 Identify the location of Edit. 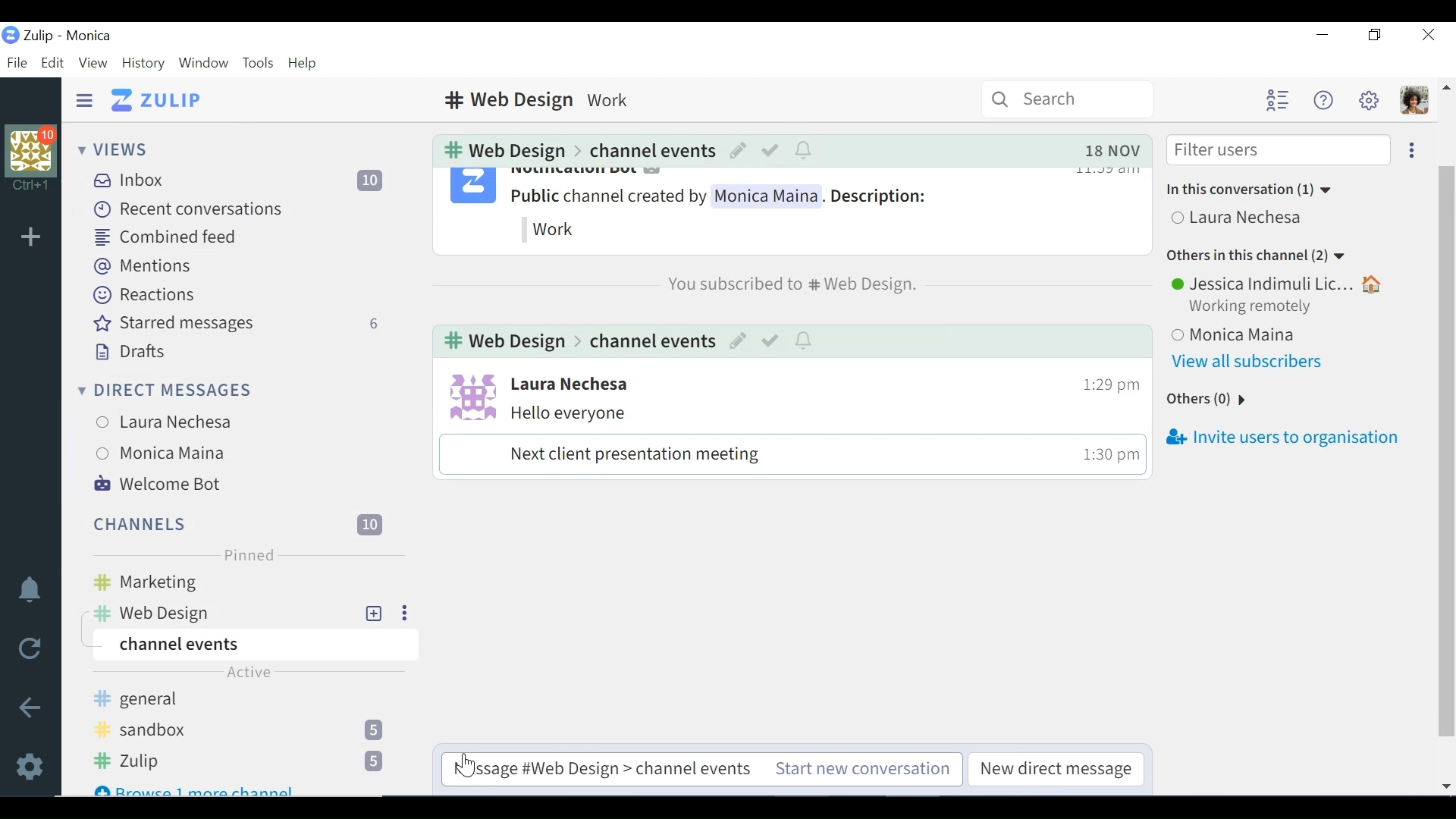
(739, 342).